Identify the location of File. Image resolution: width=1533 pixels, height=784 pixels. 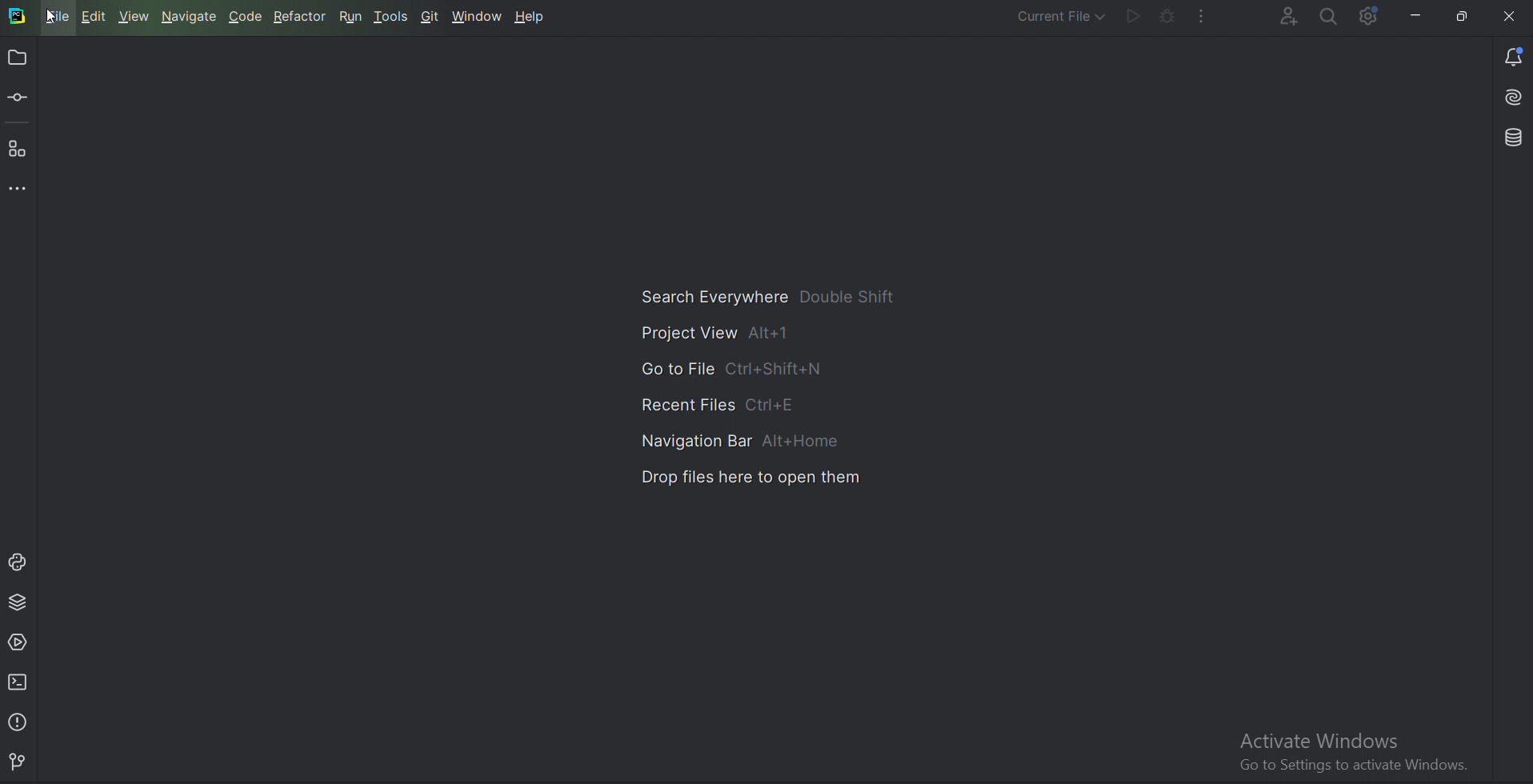
(55, 18).